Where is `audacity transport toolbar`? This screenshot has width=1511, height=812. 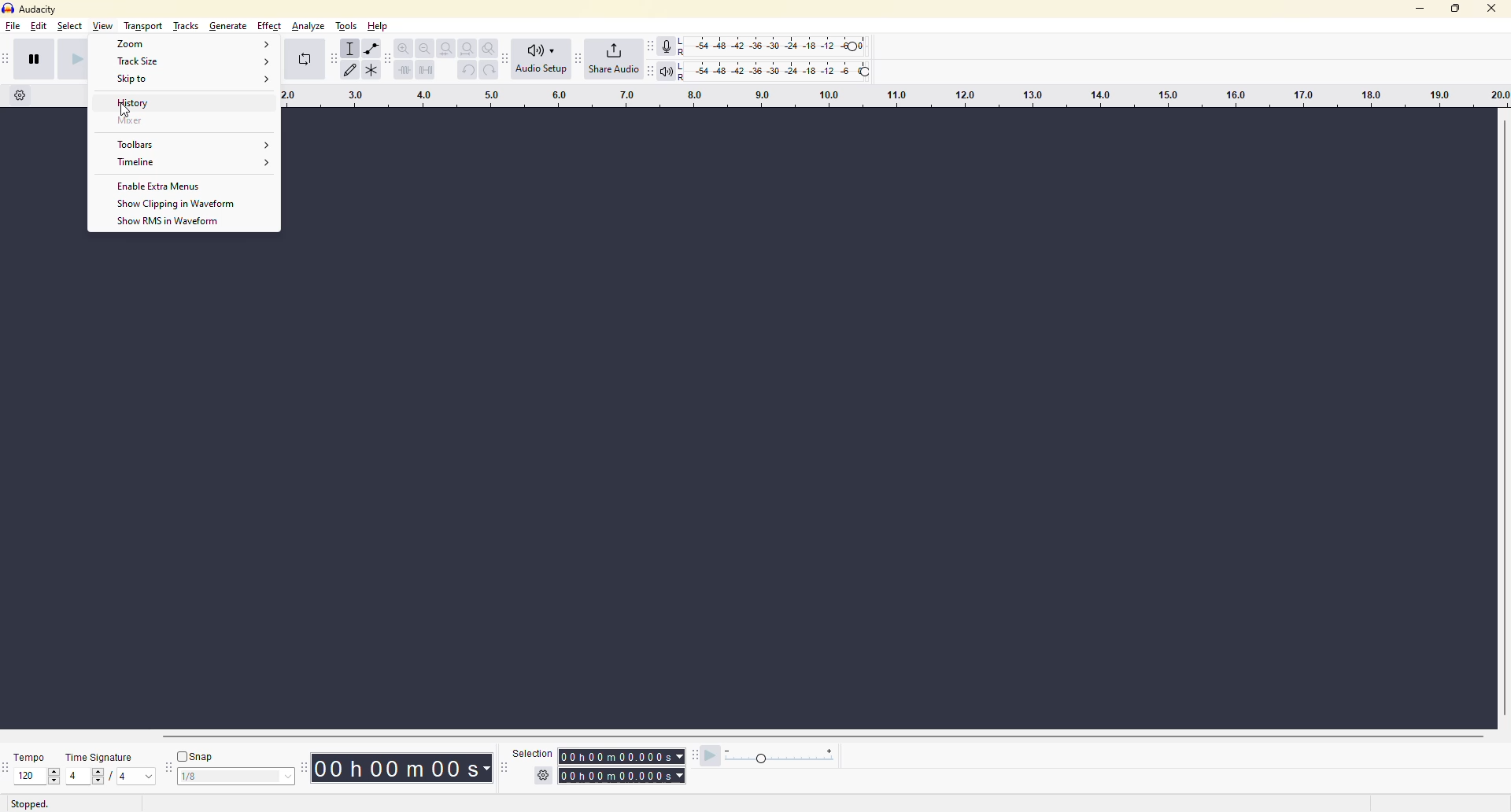
audacity transport toolbar is located at coordinates (8, 61).